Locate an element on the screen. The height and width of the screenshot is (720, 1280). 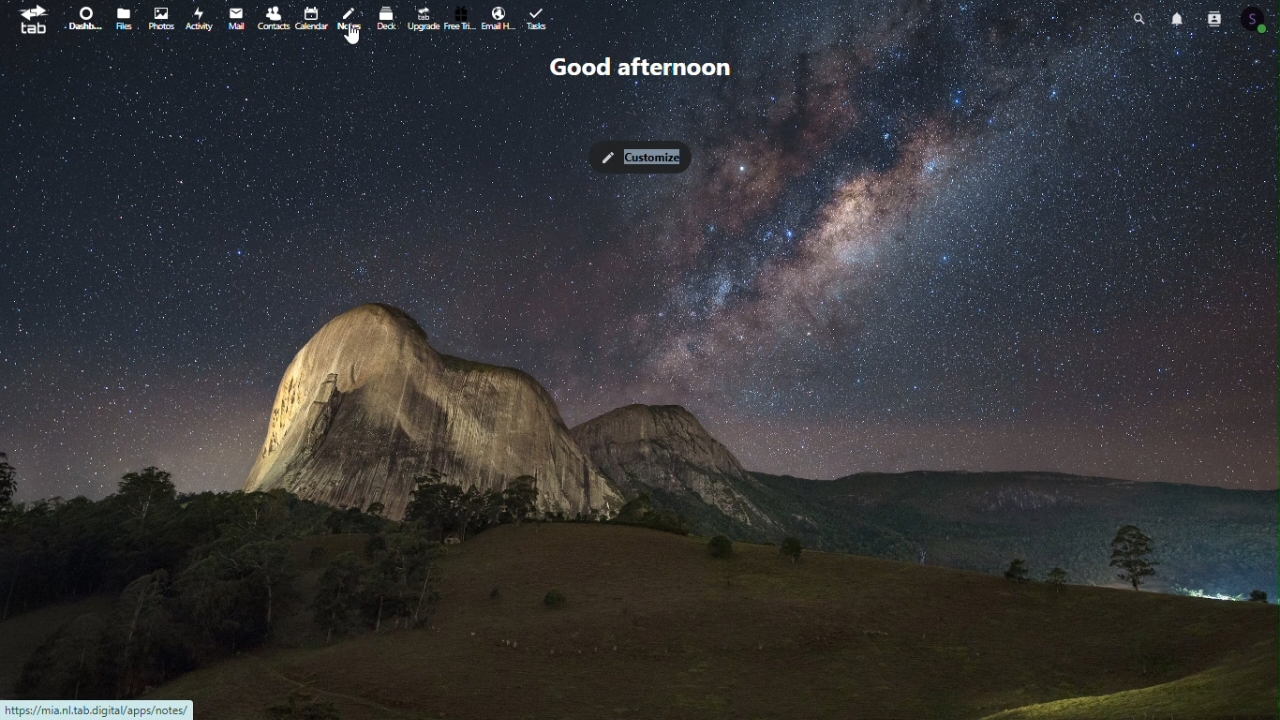
Search bar is located at coordinates (1125, 16).